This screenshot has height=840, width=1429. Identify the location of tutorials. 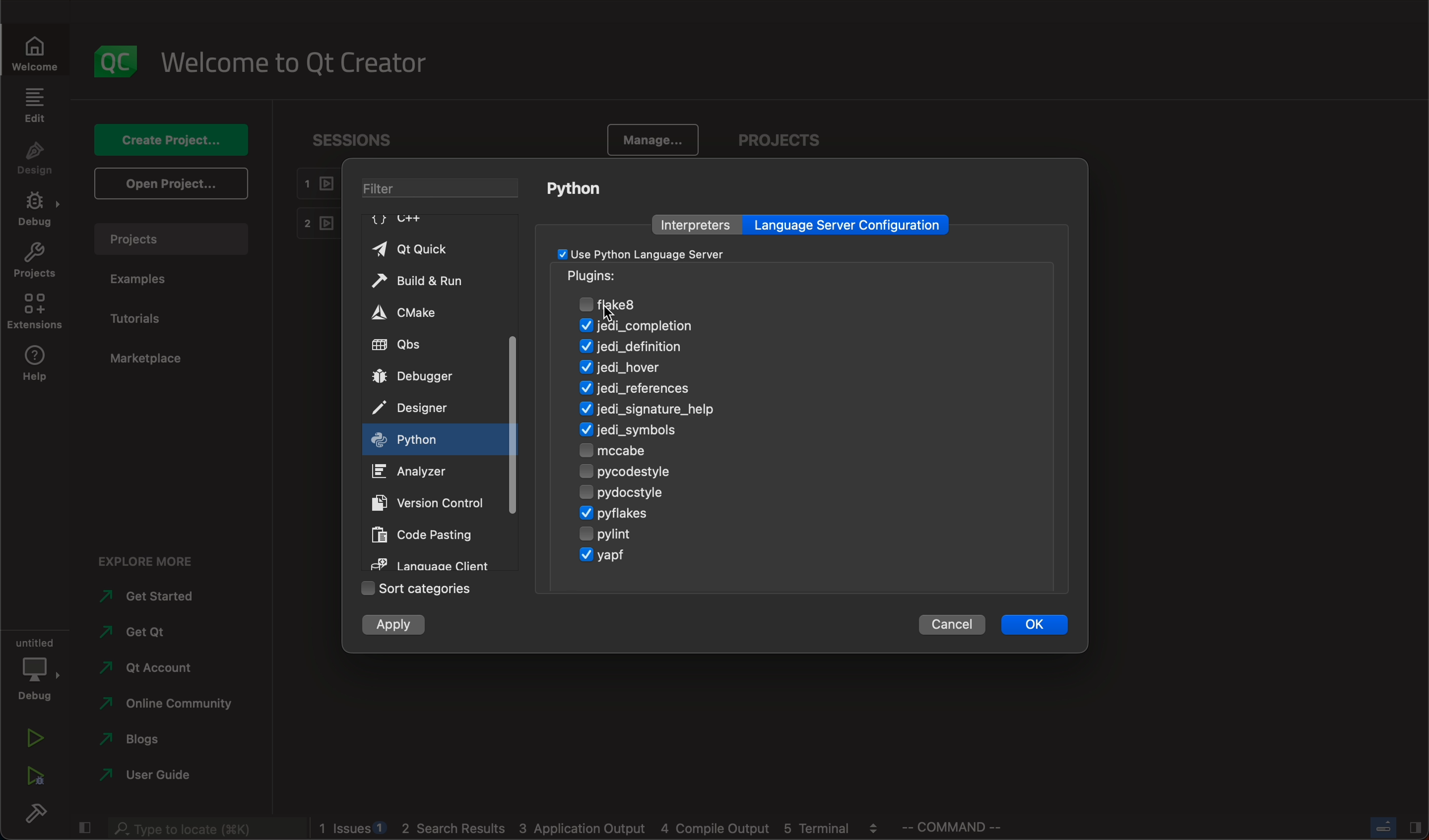
(139, 320).